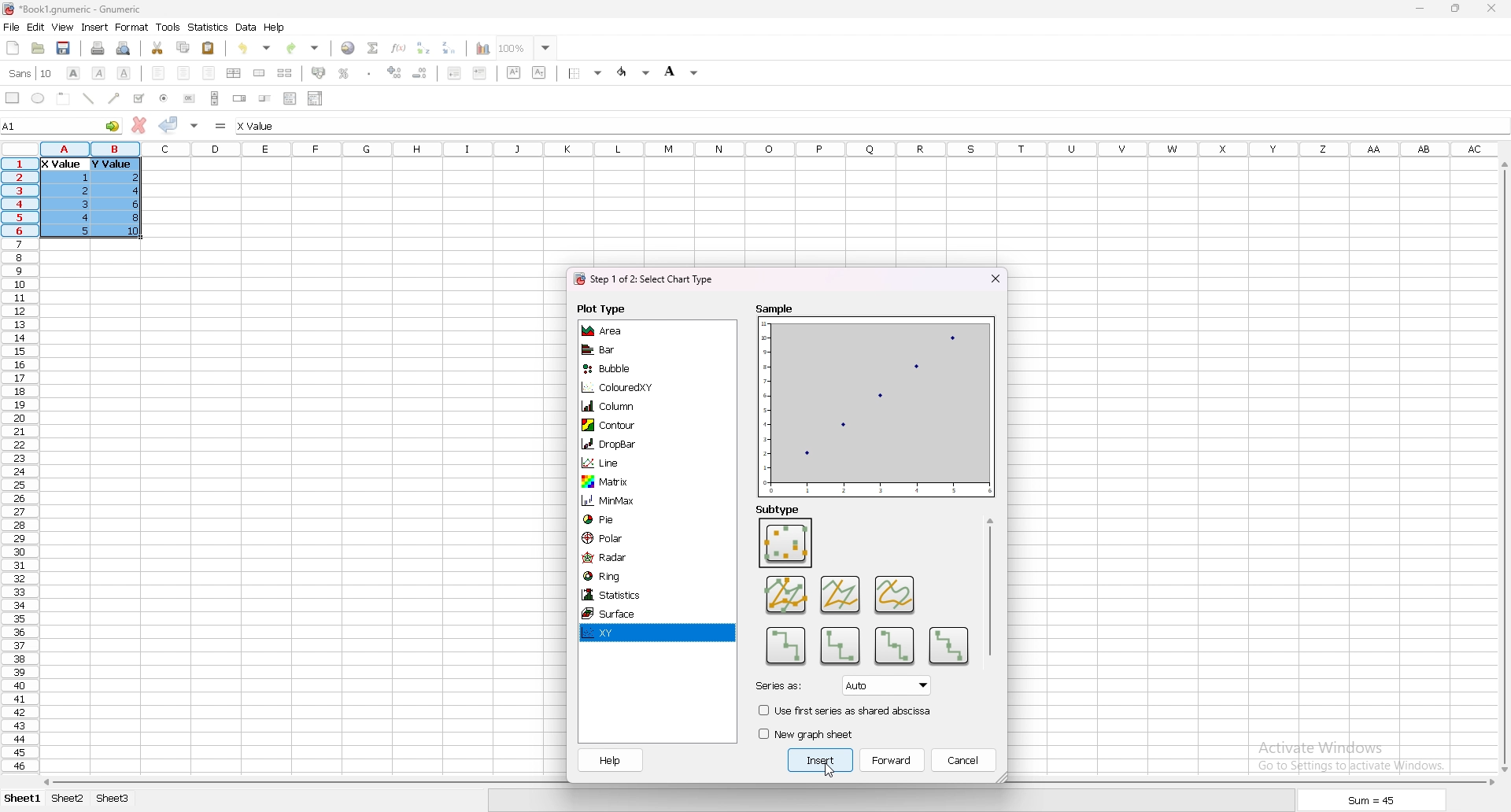 The height and width of the screenshot is (812, 1511). I want to click on rectangle, so click(13, 97).